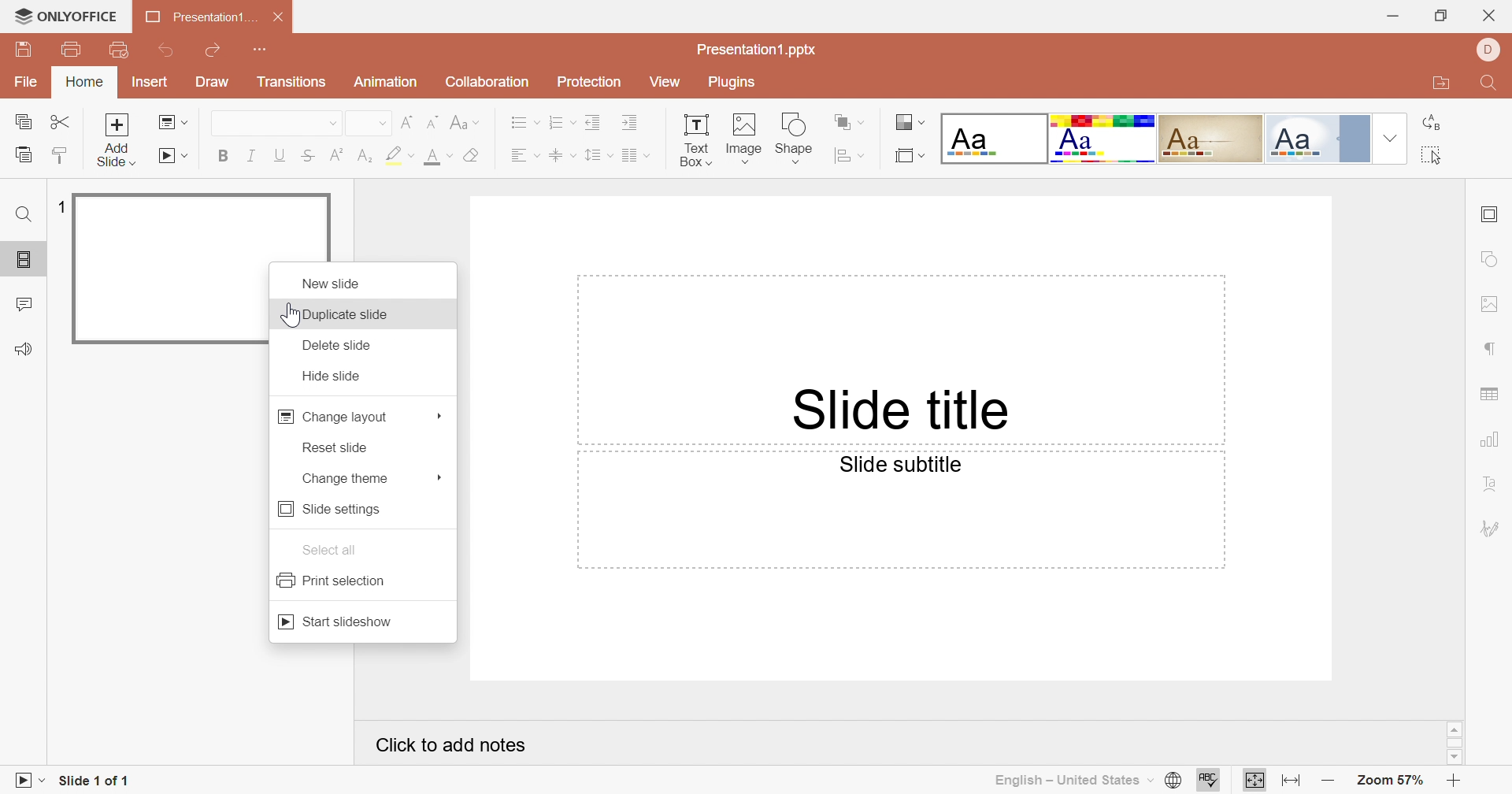 The image size is (1512, 794). Describe the element at coordinates (1491, 484) in the screenshot. I see `Text Art settings` at that location.